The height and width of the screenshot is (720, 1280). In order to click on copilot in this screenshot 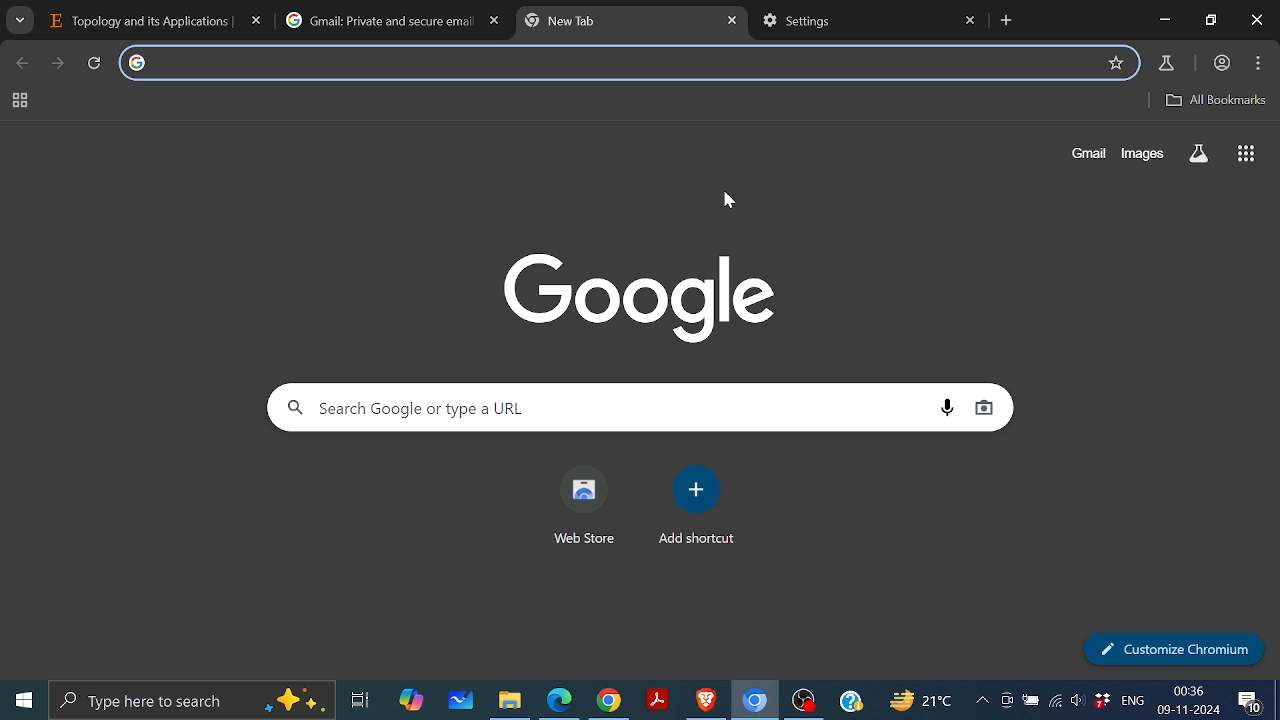, I will do `click(406, 701)`.